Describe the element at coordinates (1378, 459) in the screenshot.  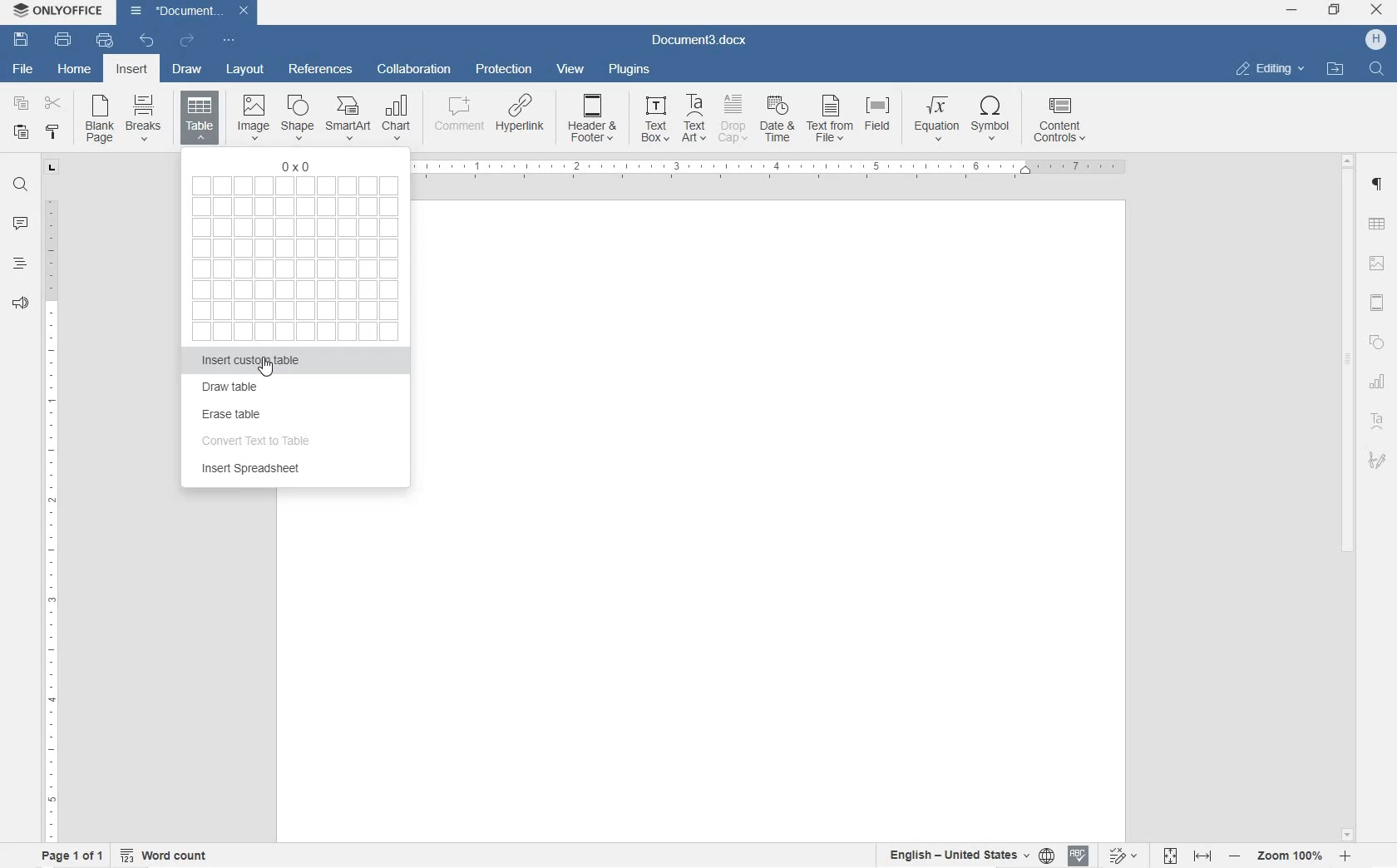
I see `SIGNATURE` at that location.